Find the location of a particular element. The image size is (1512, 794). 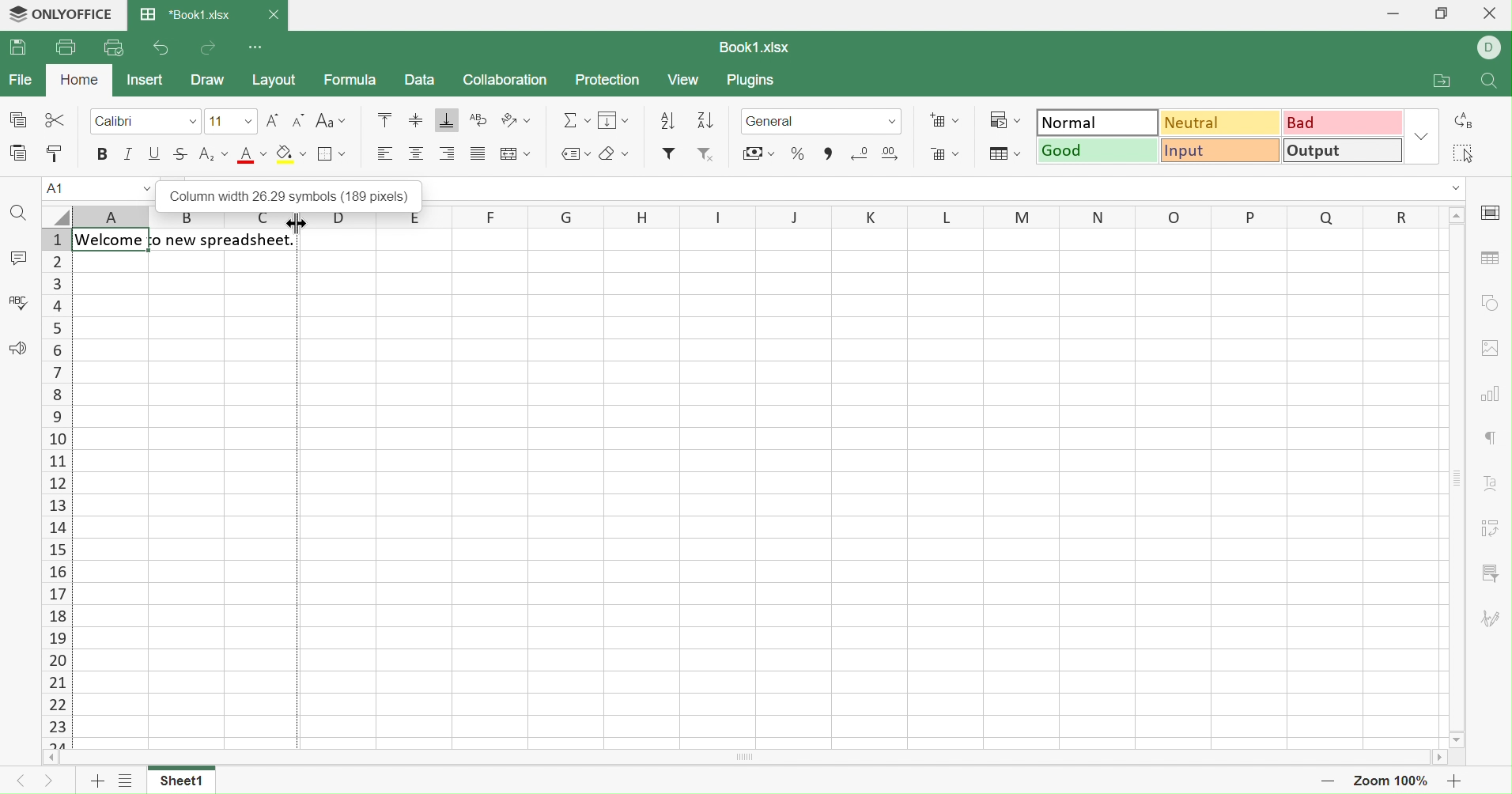

Merge and center is located at coordinates (516, 153).